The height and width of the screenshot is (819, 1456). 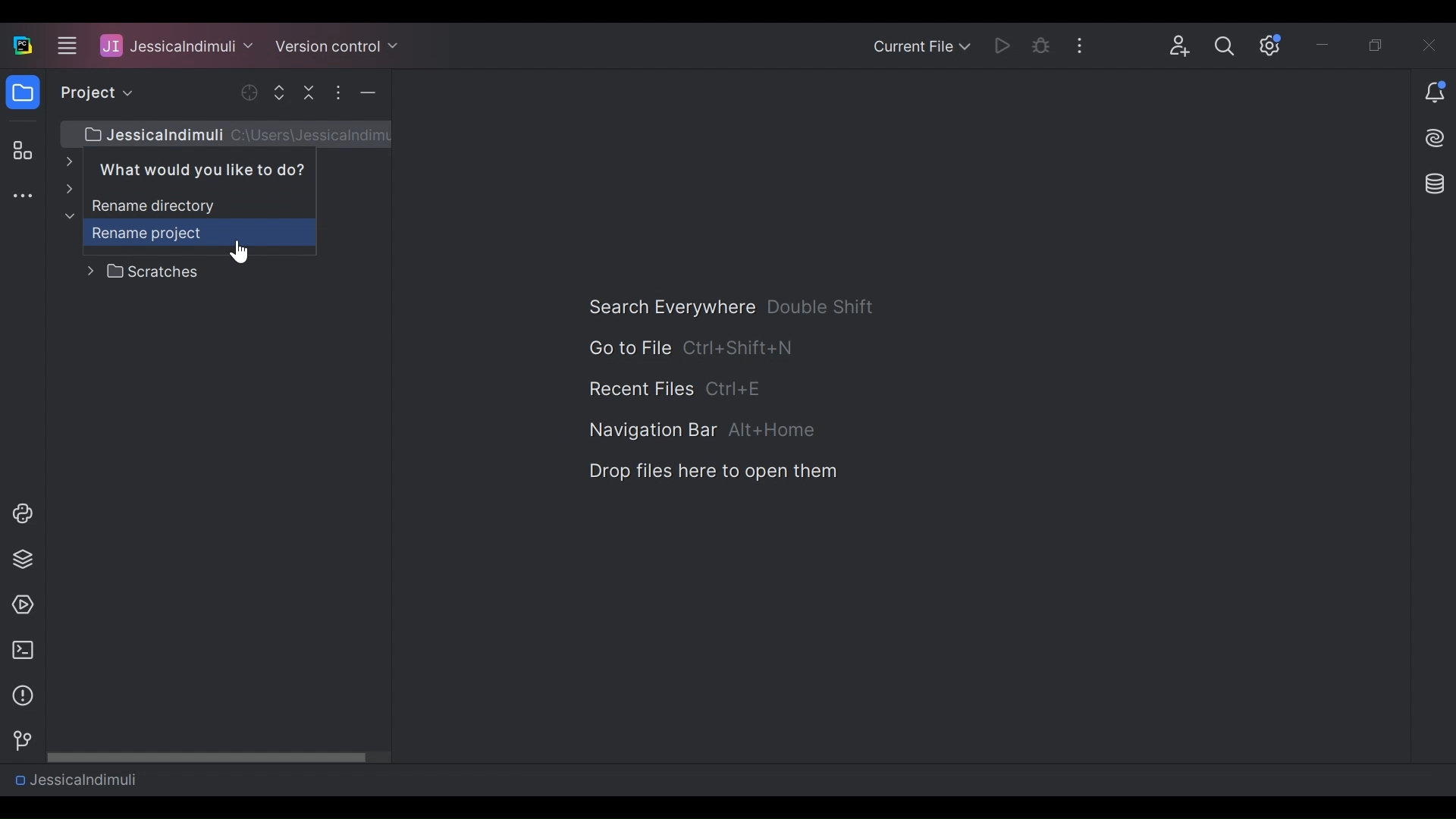 I want to click on Recent Files, so click(x=640, y=390).